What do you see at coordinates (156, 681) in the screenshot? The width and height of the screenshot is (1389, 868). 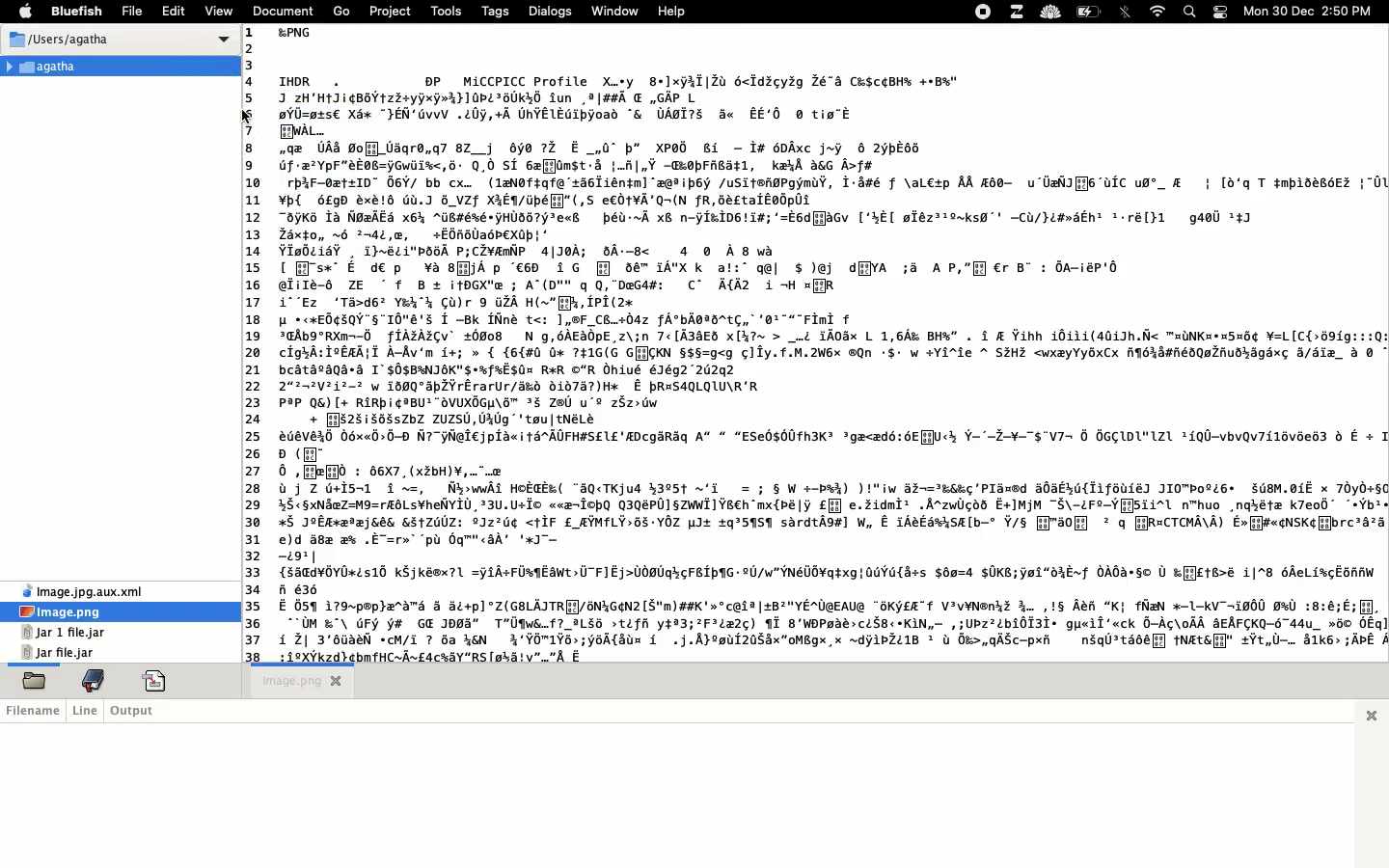 I see `code` at bounding box center [156, 681].